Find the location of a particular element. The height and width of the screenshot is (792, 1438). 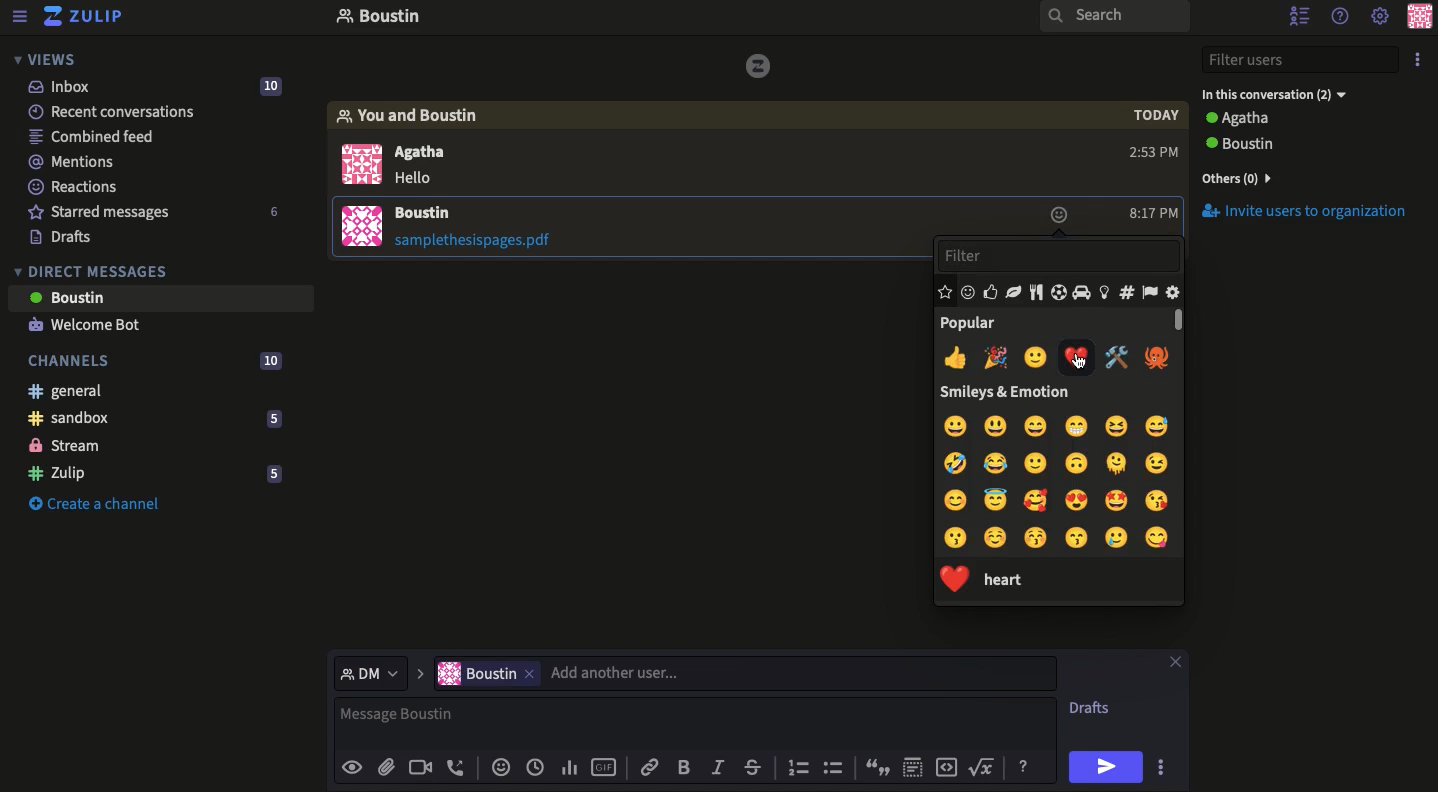

General is located at coordinates (66, 391).